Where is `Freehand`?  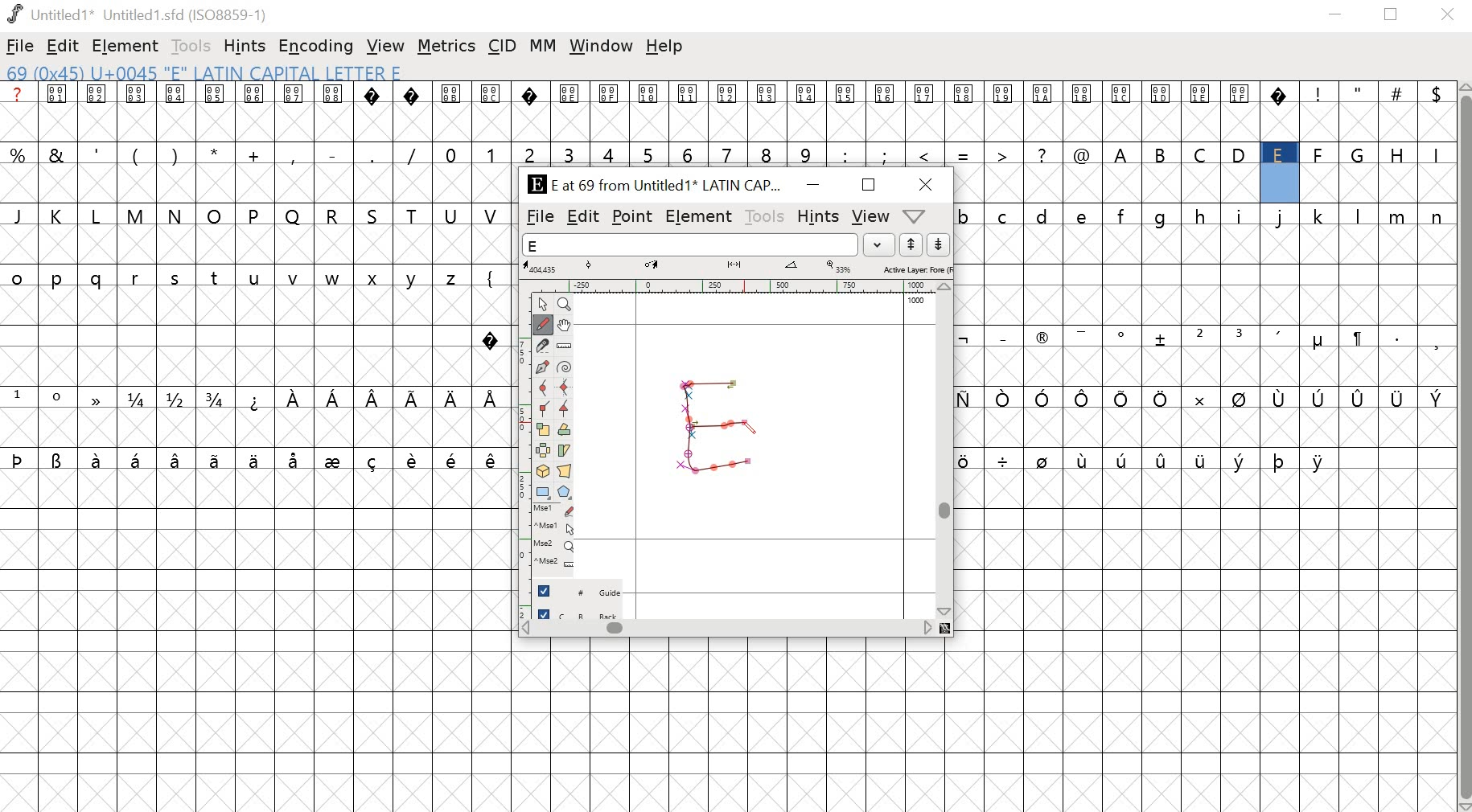
Freehand is located at coordinates (545, 326).